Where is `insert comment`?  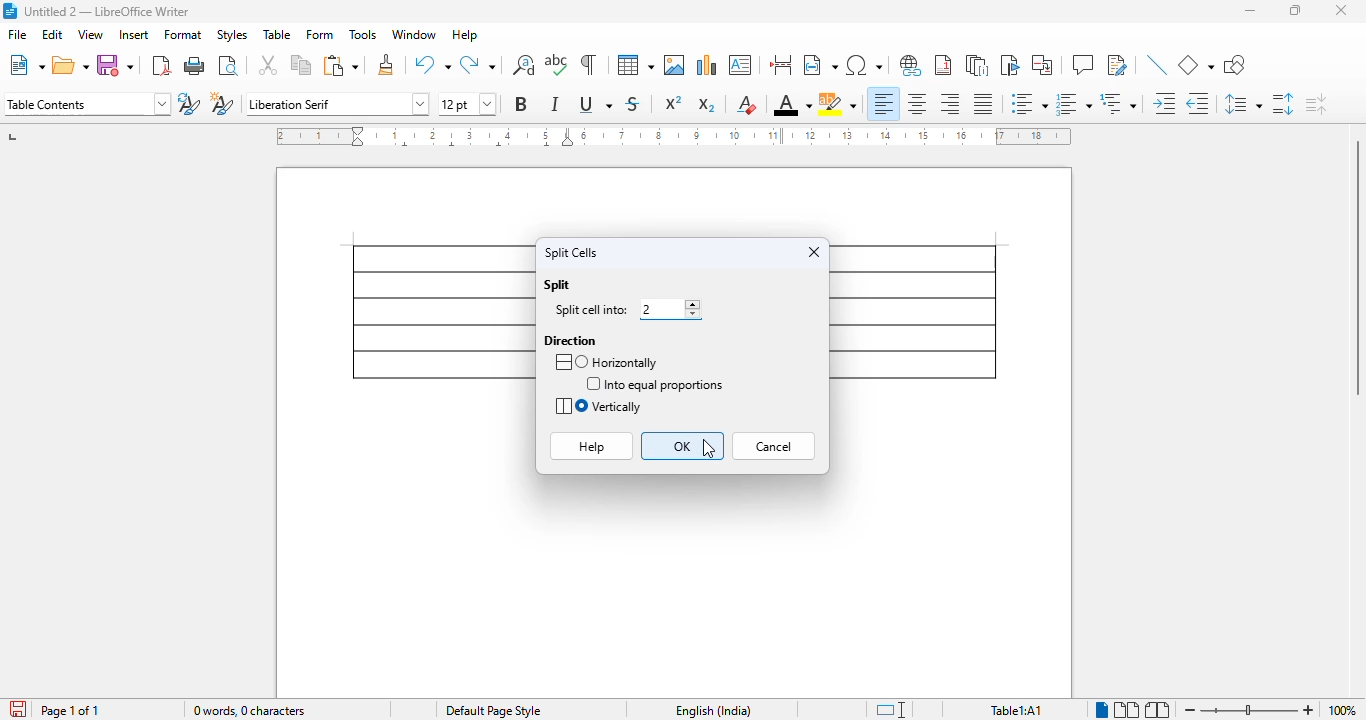 insert comment is located at coordinates (1083, 65).